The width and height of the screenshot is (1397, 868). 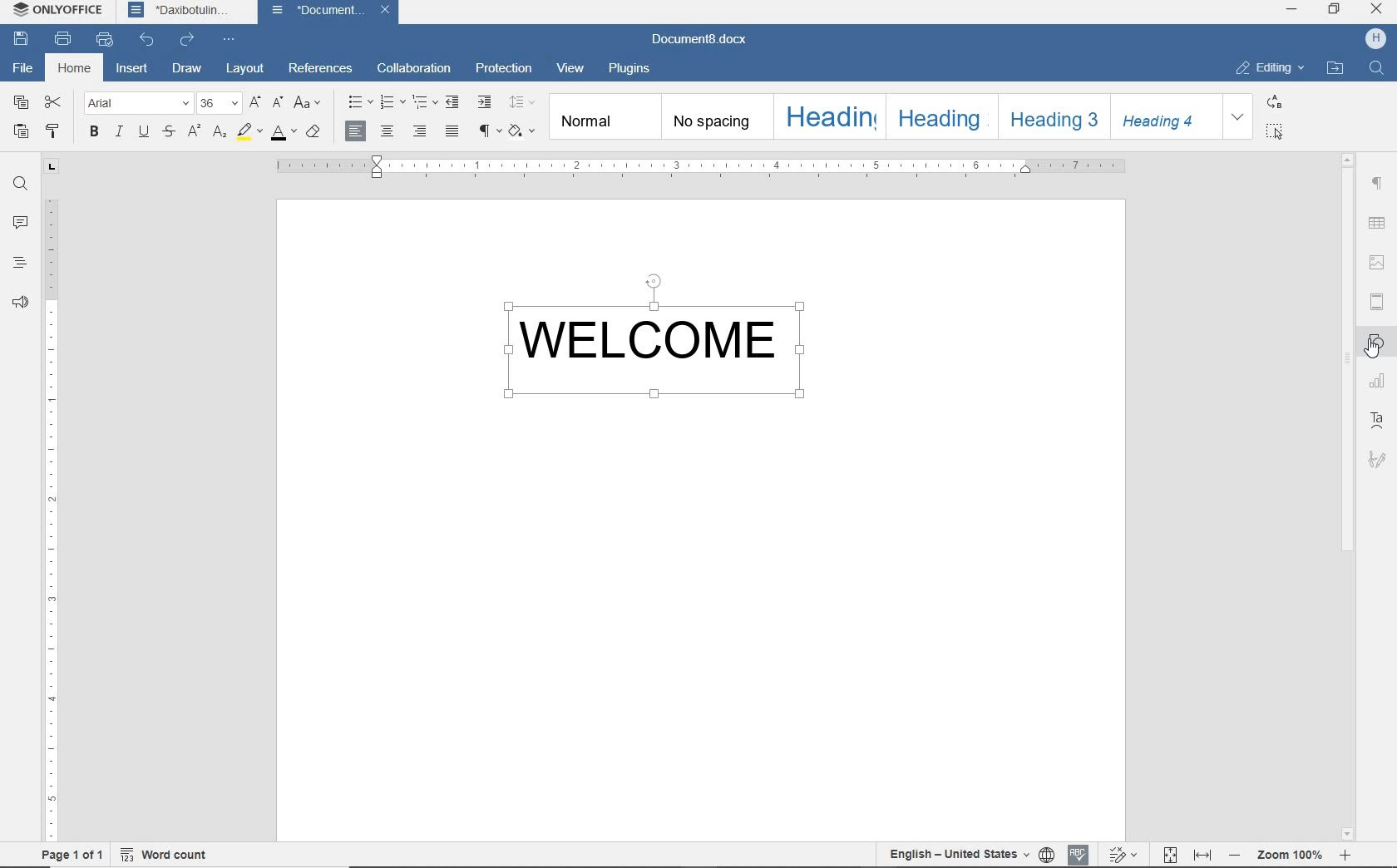 I want to click on FIND, so click(x=20, y=187).